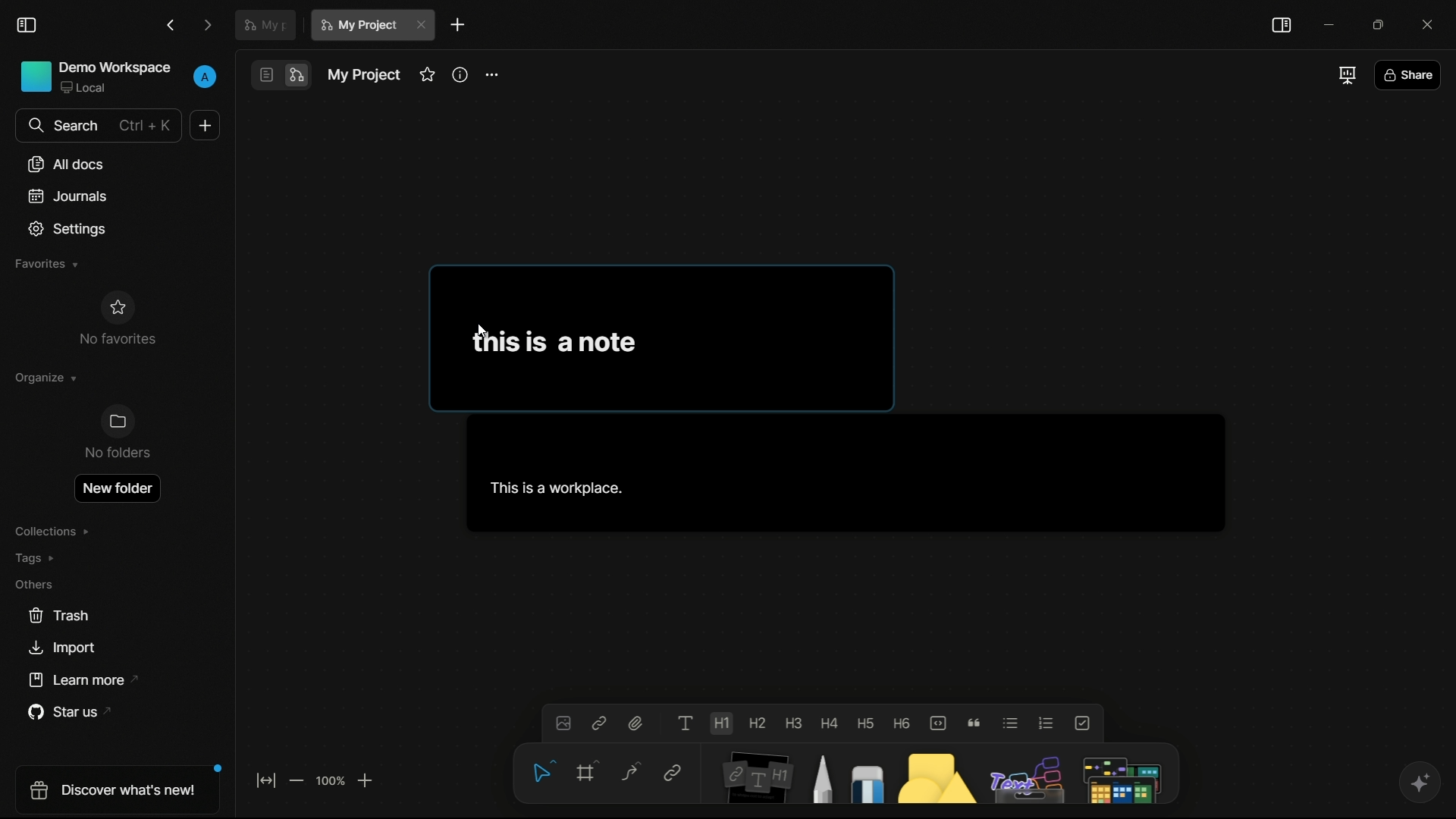 This screenshot has width=1456, height=819. I want to click on heading 5, so click(868, 720).